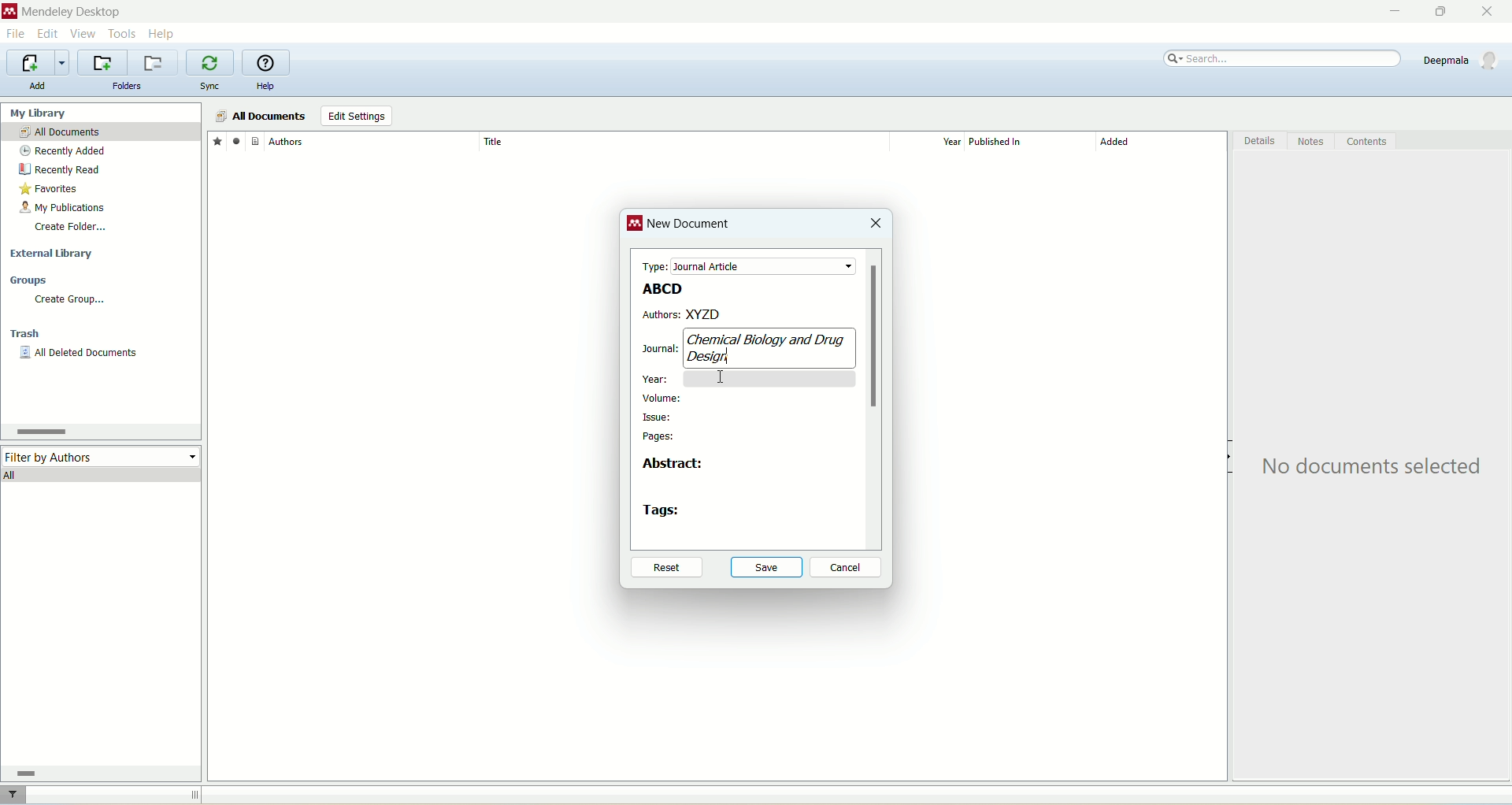 Image resolution: width=1512 pixels, height=805 pixels. I want to click on volume, so click(663, 398).